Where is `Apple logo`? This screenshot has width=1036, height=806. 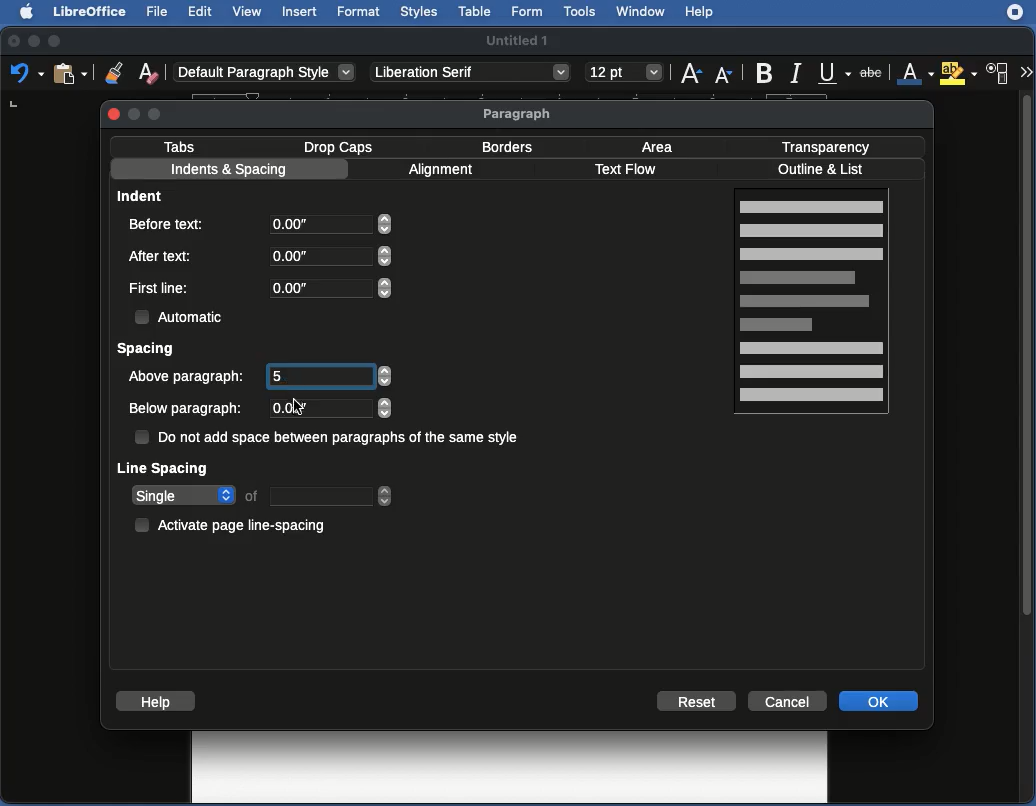 Apple logo is located at coordinates (21, 11).